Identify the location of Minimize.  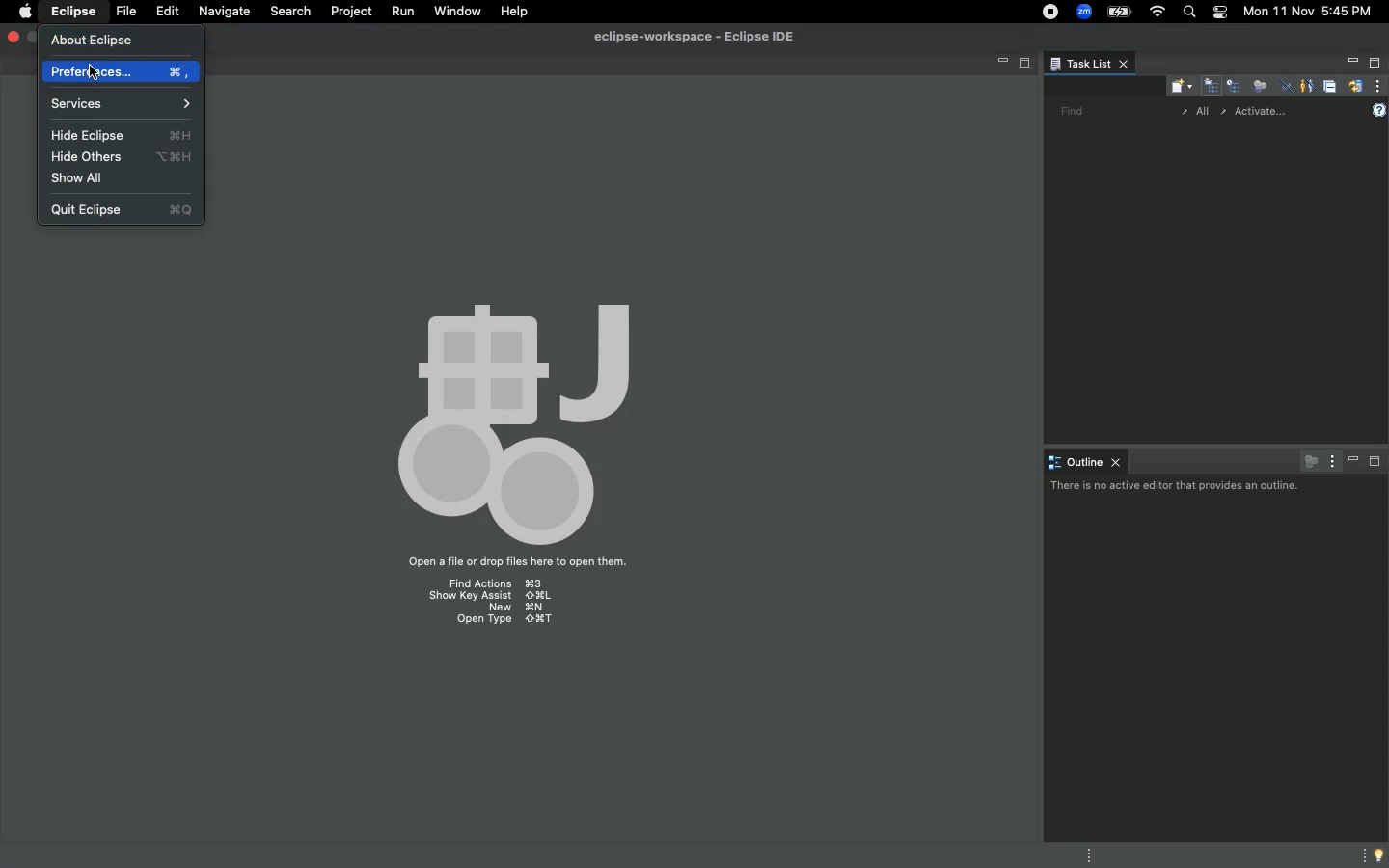
(996, 65).